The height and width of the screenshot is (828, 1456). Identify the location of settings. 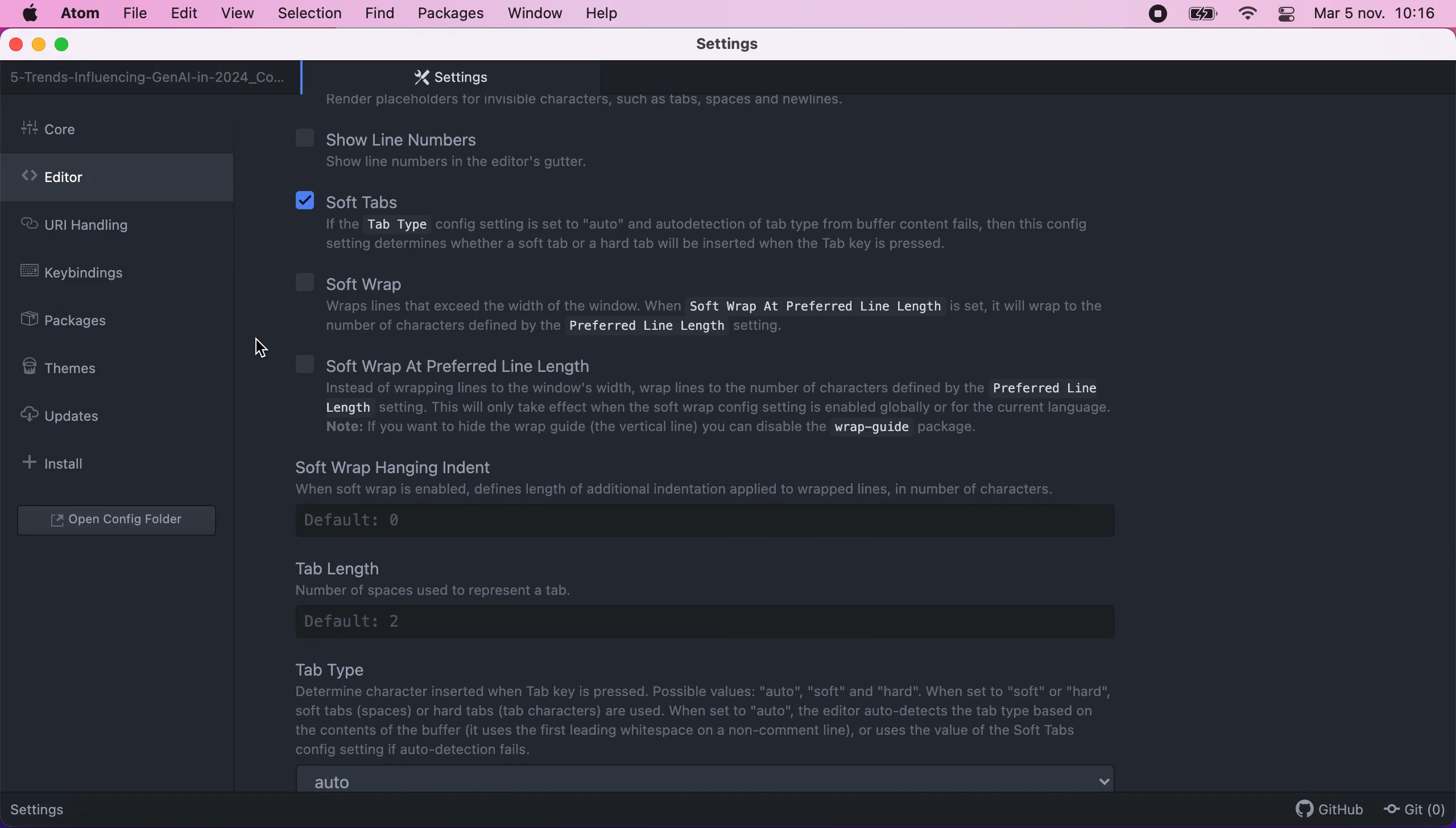
(744, 45).